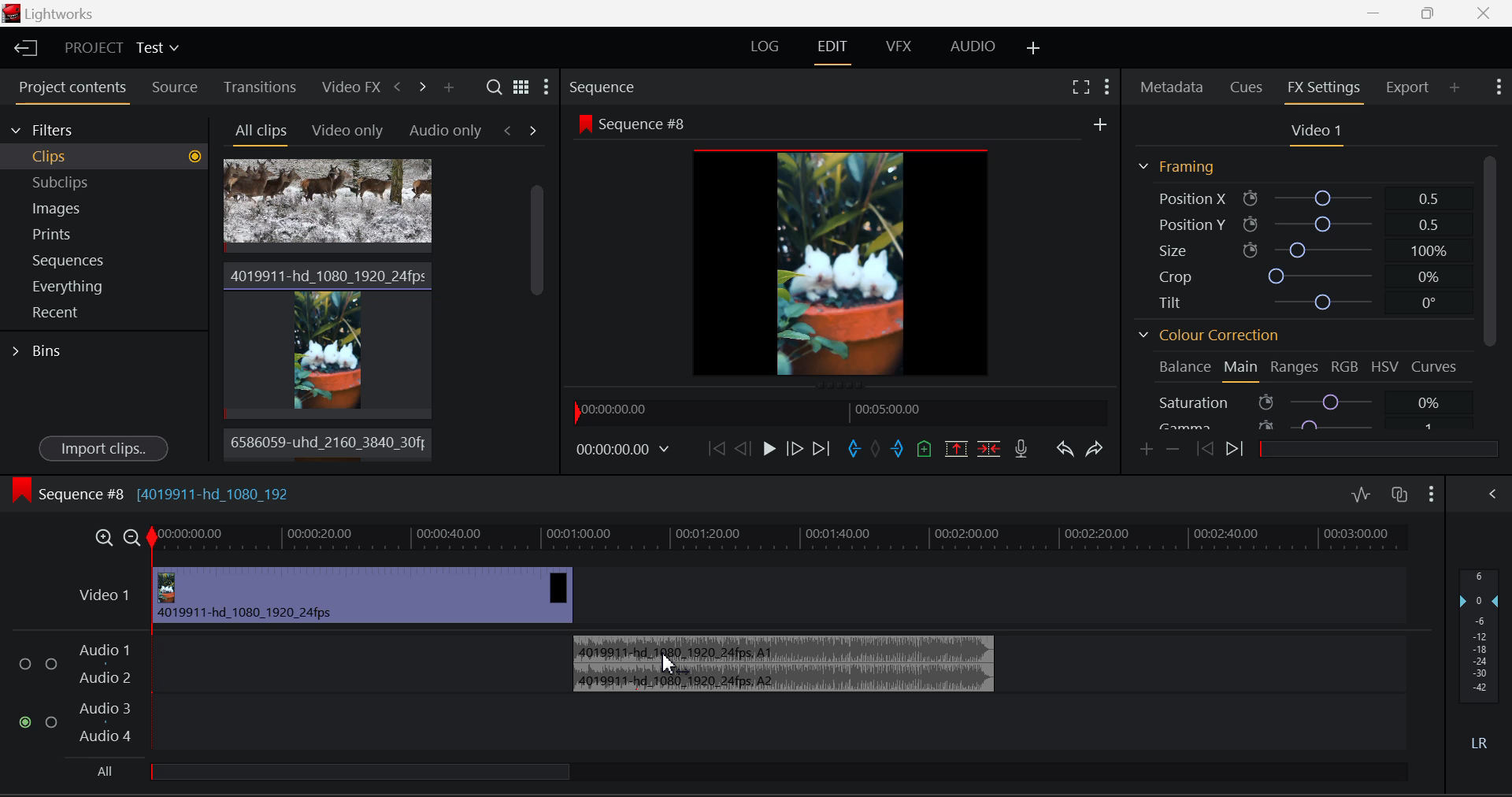  I want to click on Filters, so click(104, 129).